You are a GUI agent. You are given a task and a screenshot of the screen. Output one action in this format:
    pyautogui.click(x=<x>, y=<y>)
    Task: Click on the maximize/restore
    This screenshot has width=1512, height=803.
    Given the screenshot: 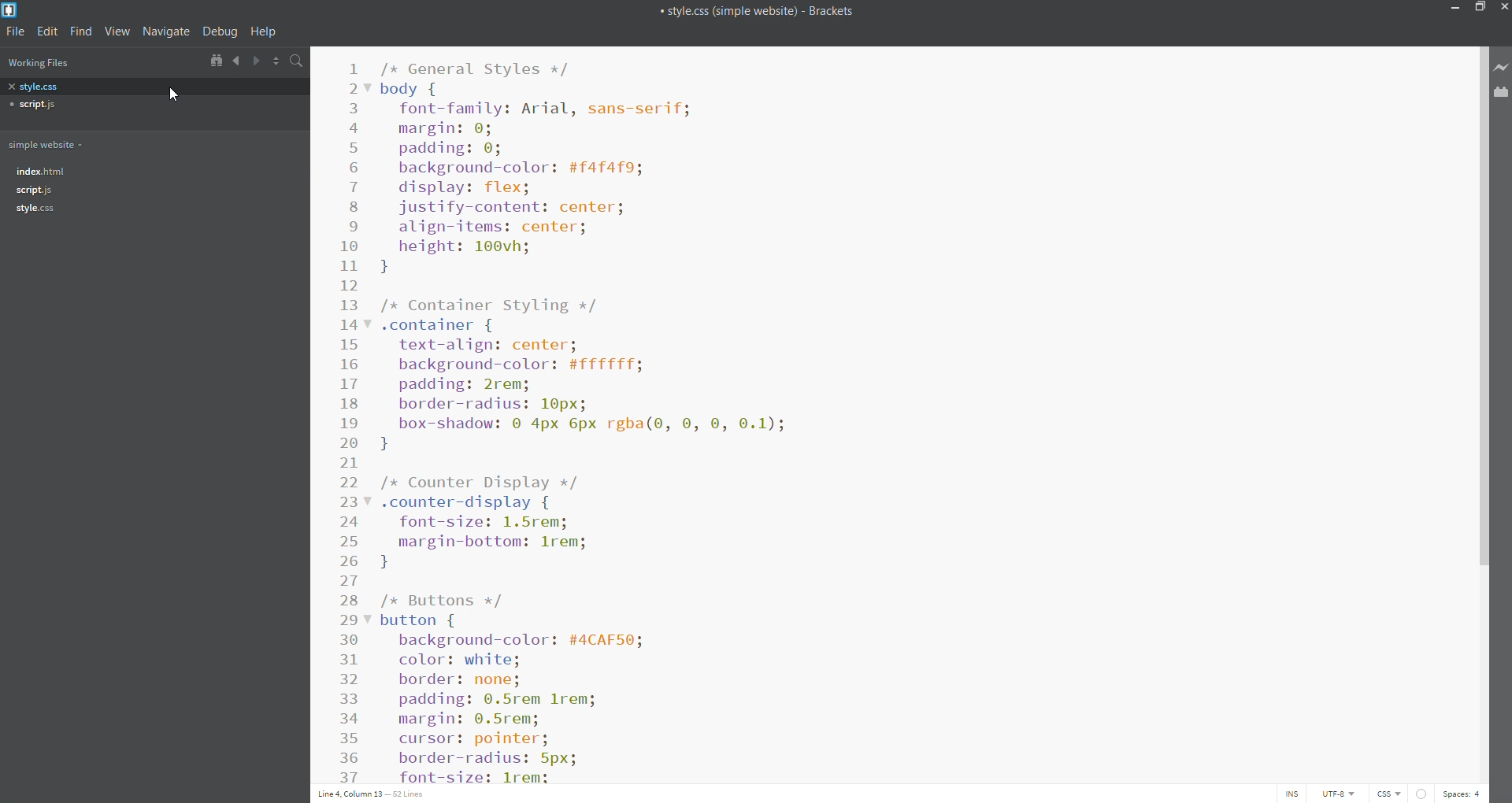 What is the action you would take?
    pyautogui.click(x=1480, y=9)
    